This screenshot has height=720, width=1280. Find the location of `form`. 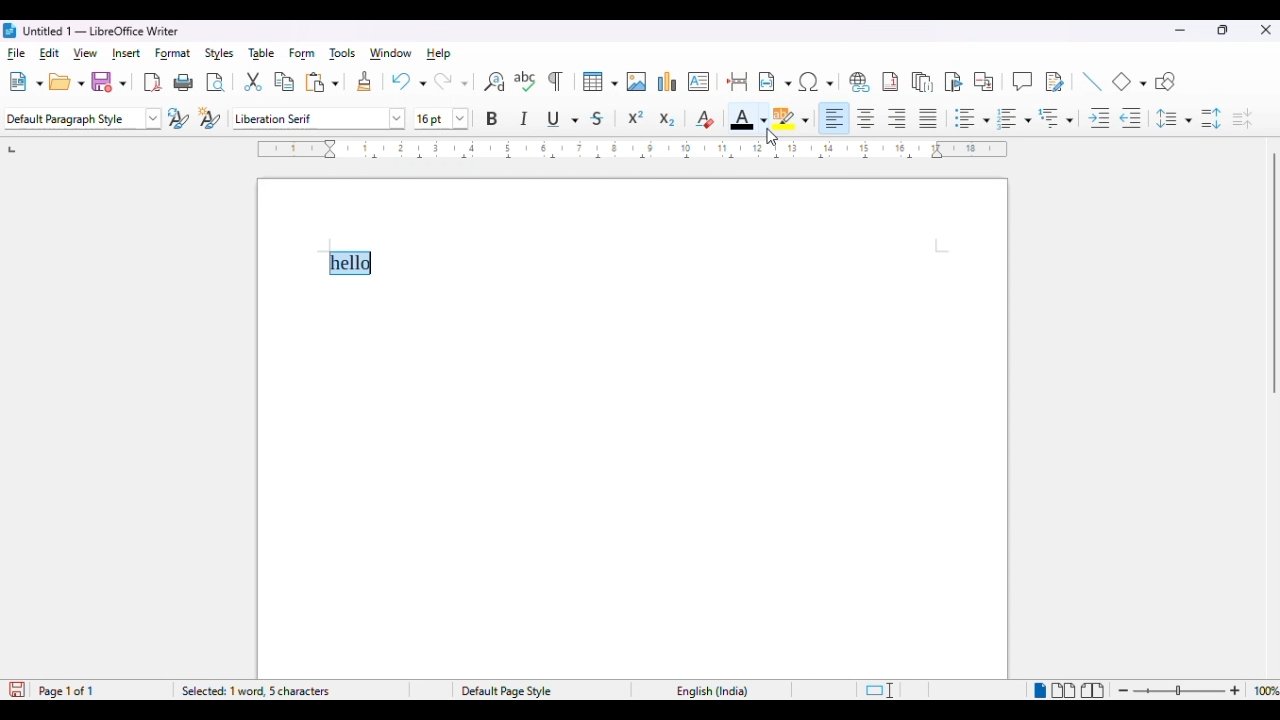

form is located at coordinates (302, 54).